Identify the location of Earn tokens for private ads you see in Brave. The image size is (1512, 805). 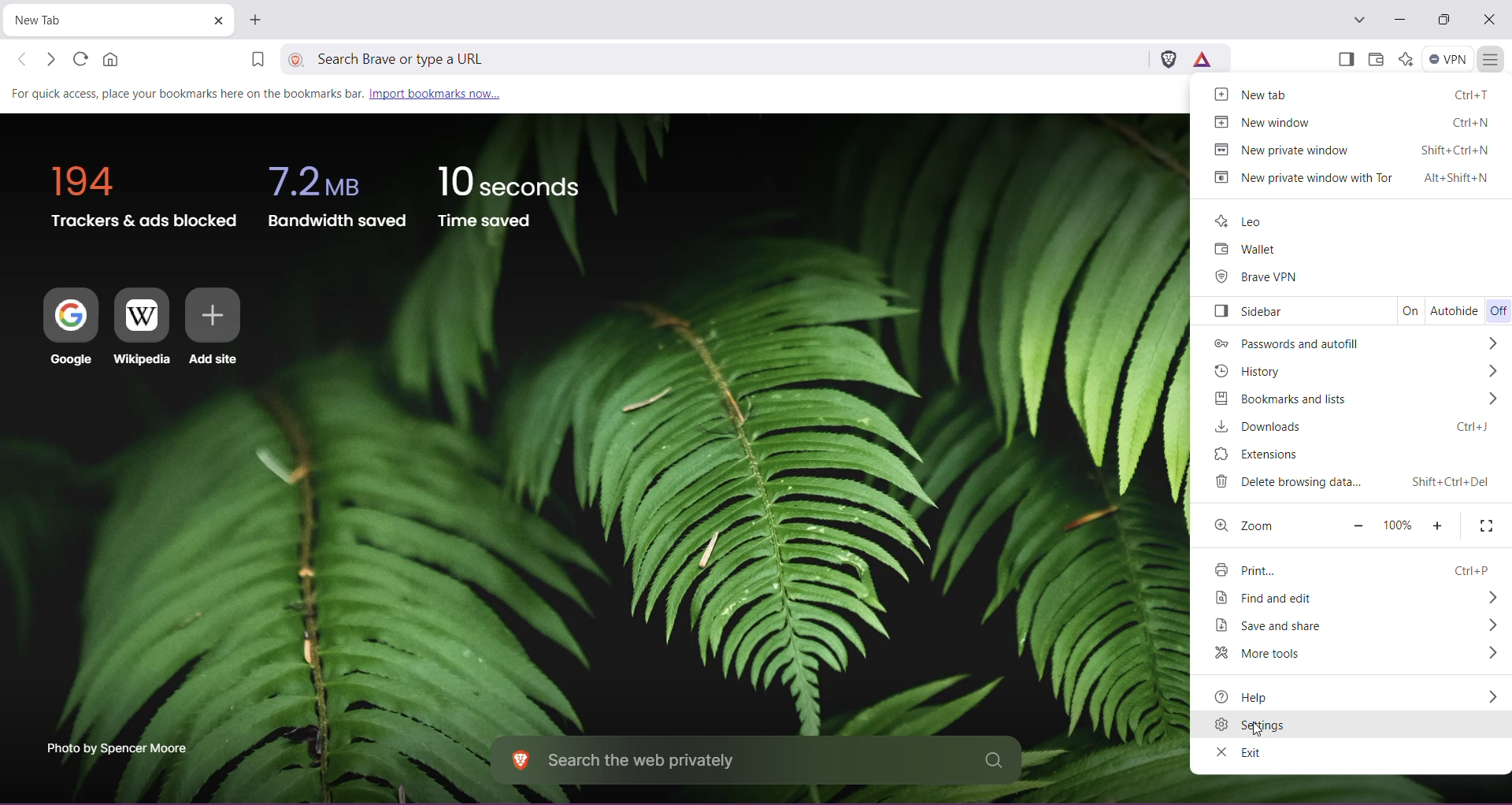
(1202, 58).